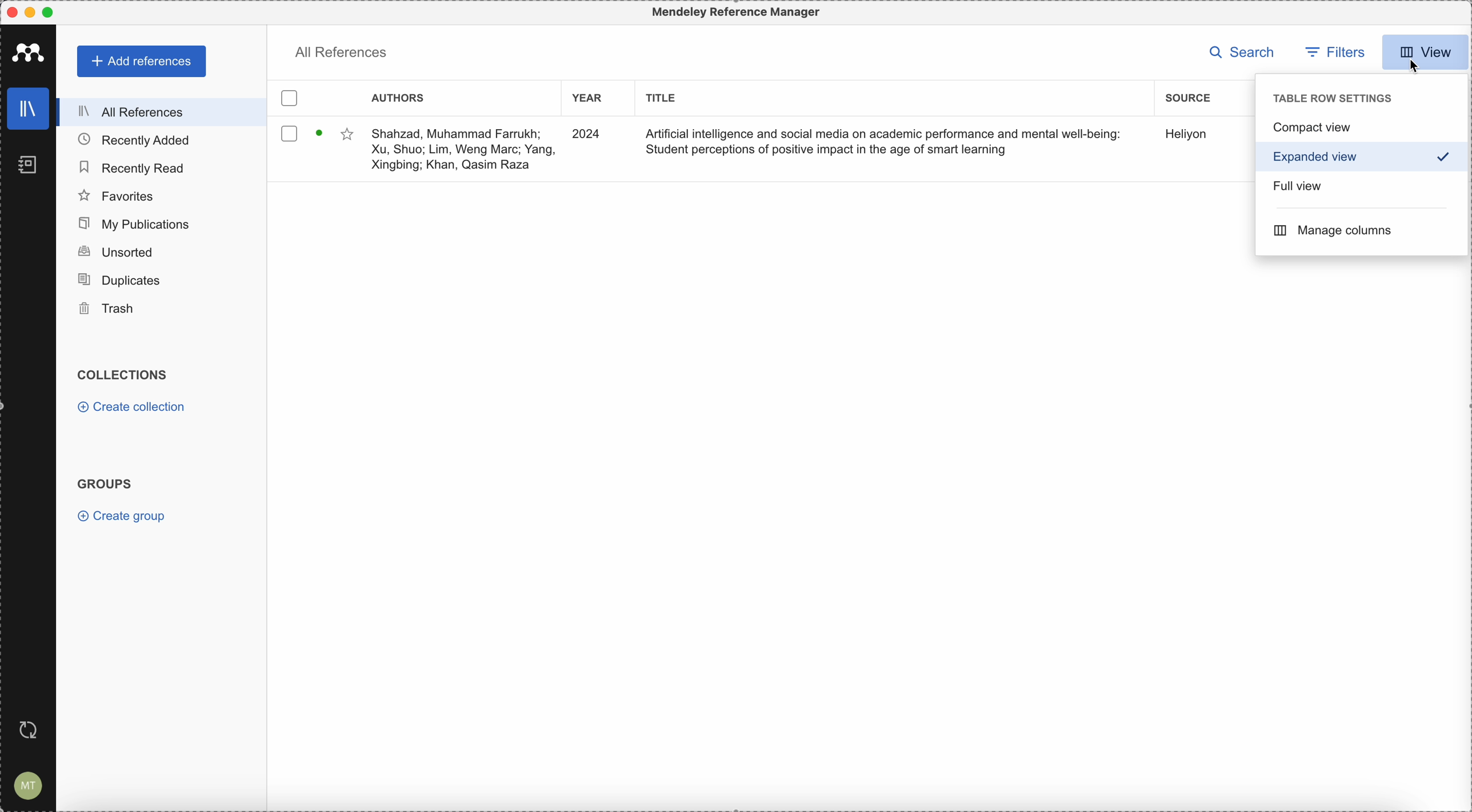  Describe the element at coordinates (136, 140) in the screenshot. I see `recently added` at that location.